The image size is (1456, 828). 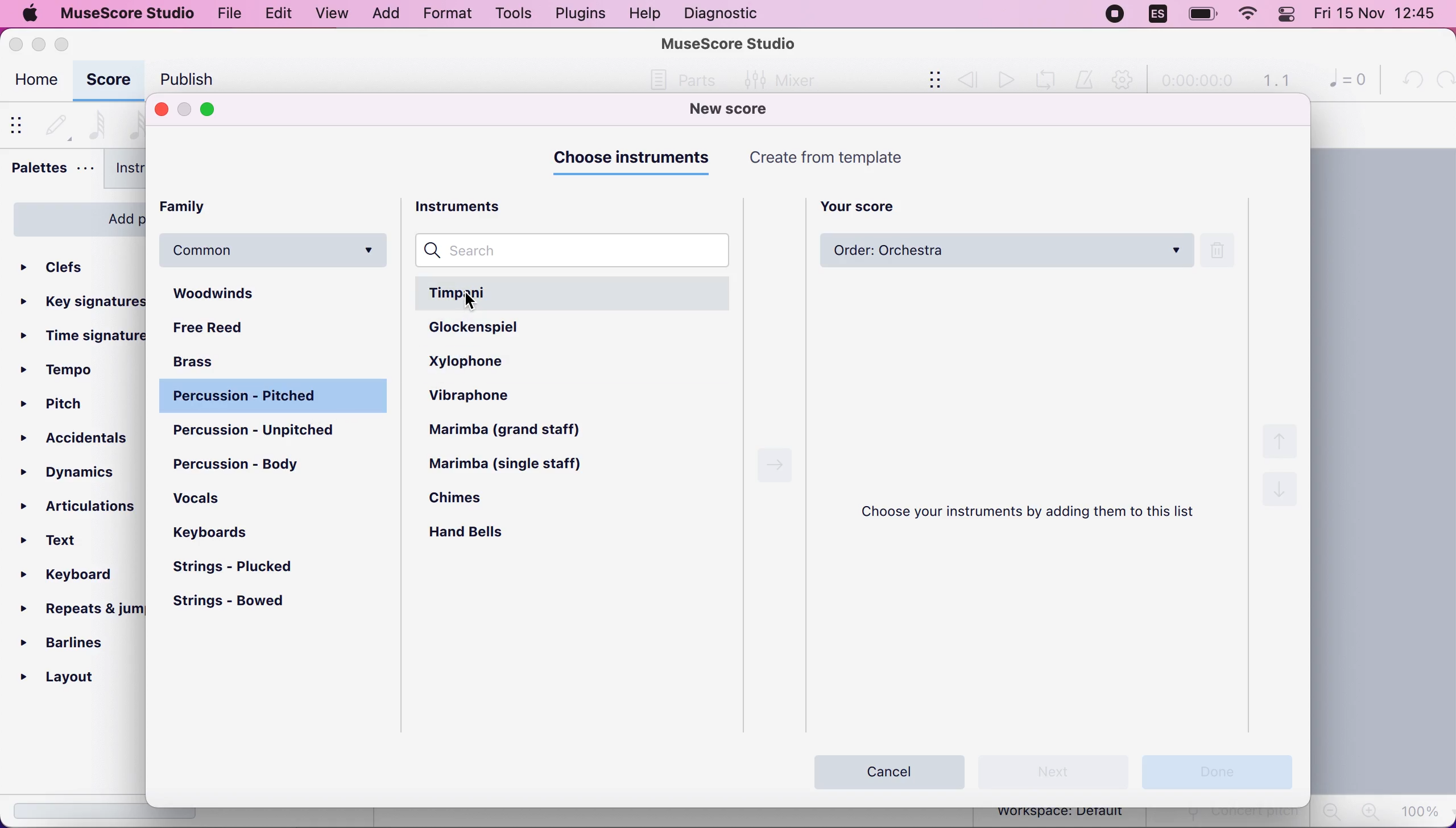 What do you see at coordinates (1036, 514) in the screenshot?
I see `choose your instruments by adding them to this list` at bounding box center [1036, 514].